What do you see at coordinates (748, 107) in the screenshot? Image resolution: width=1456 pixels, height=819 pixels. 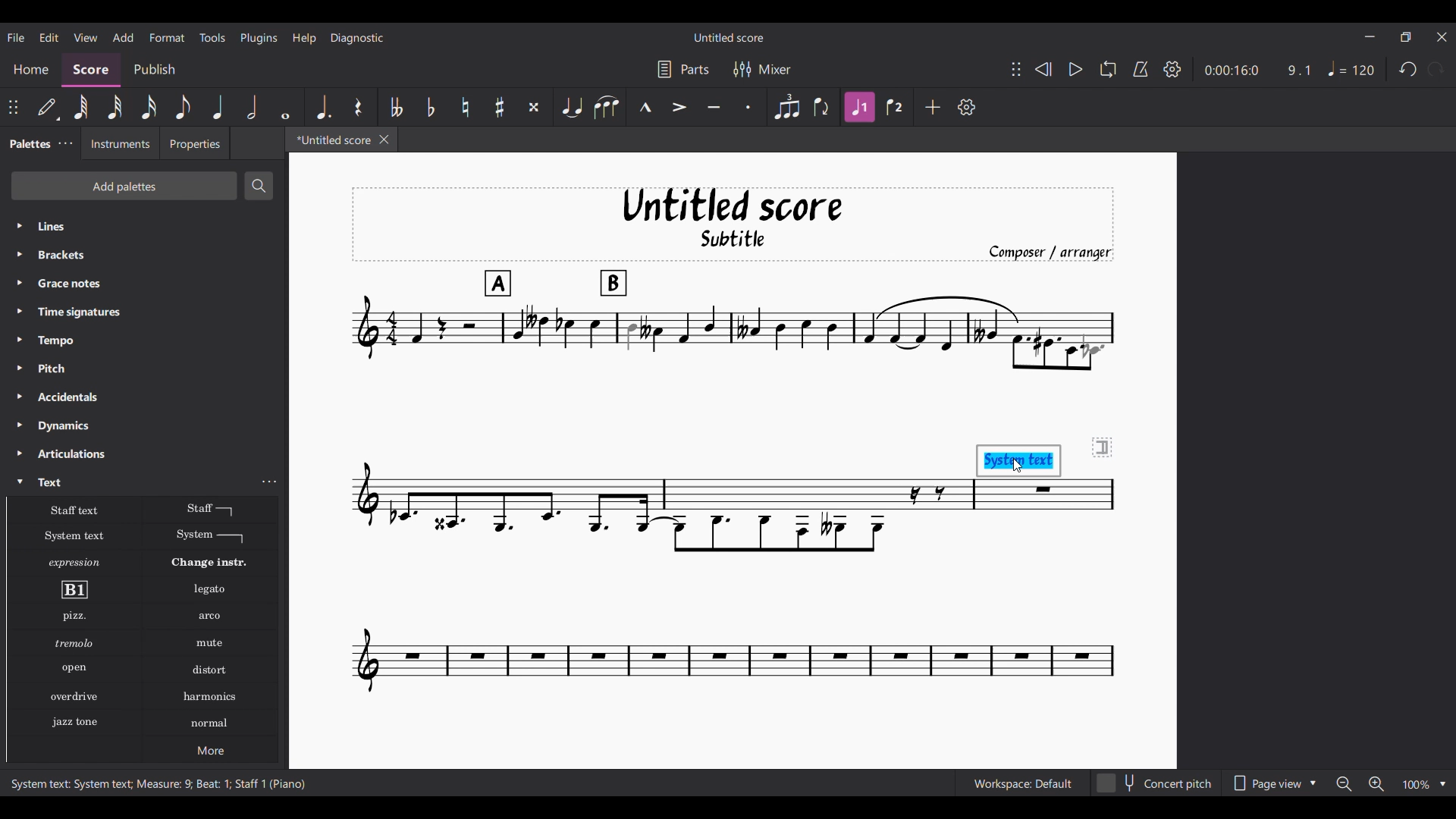 I see `Staccato` at bounding box center [748, 107].